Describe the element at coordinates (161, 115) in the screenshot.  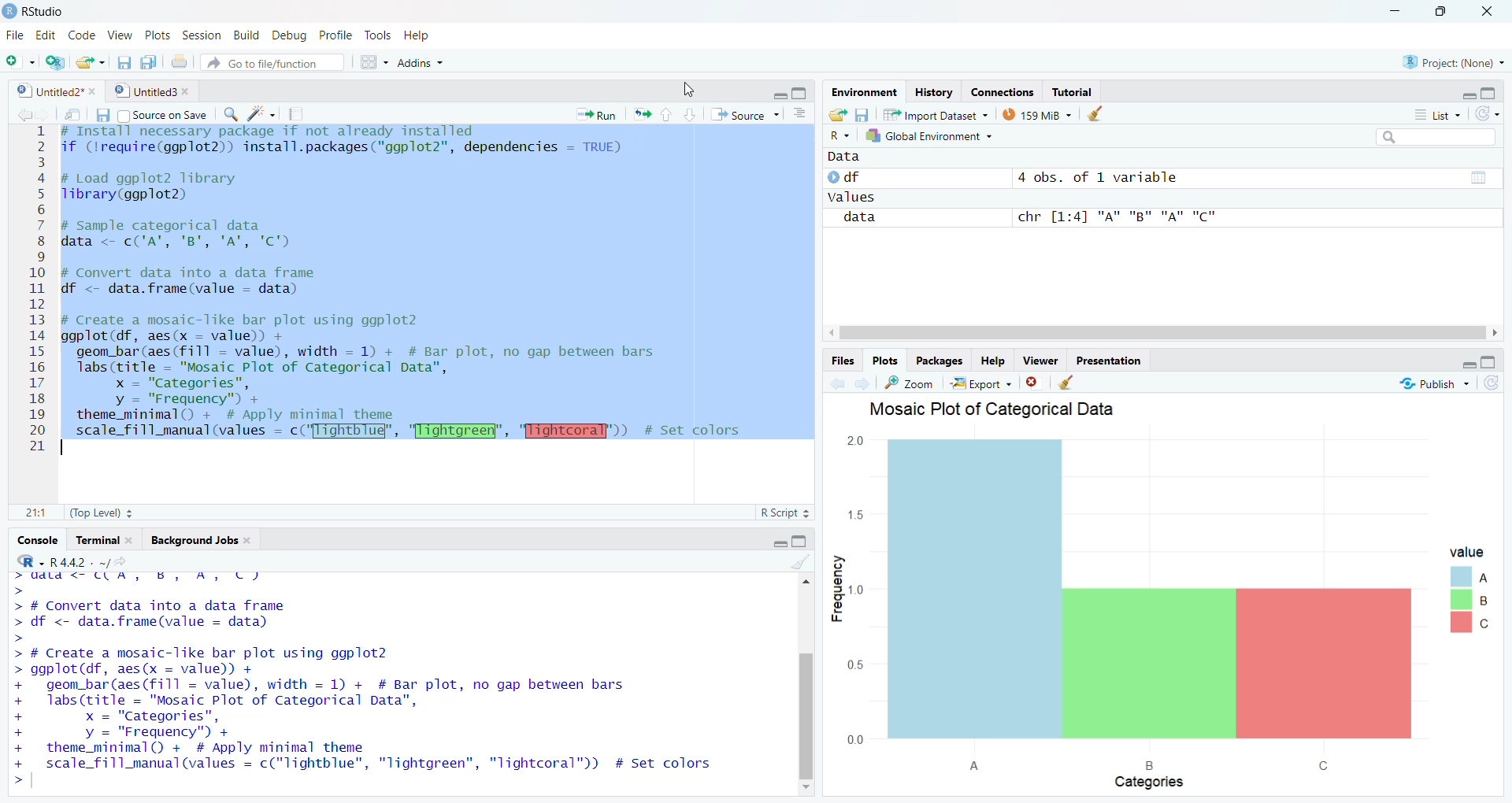
I see `Source on save` at that location.